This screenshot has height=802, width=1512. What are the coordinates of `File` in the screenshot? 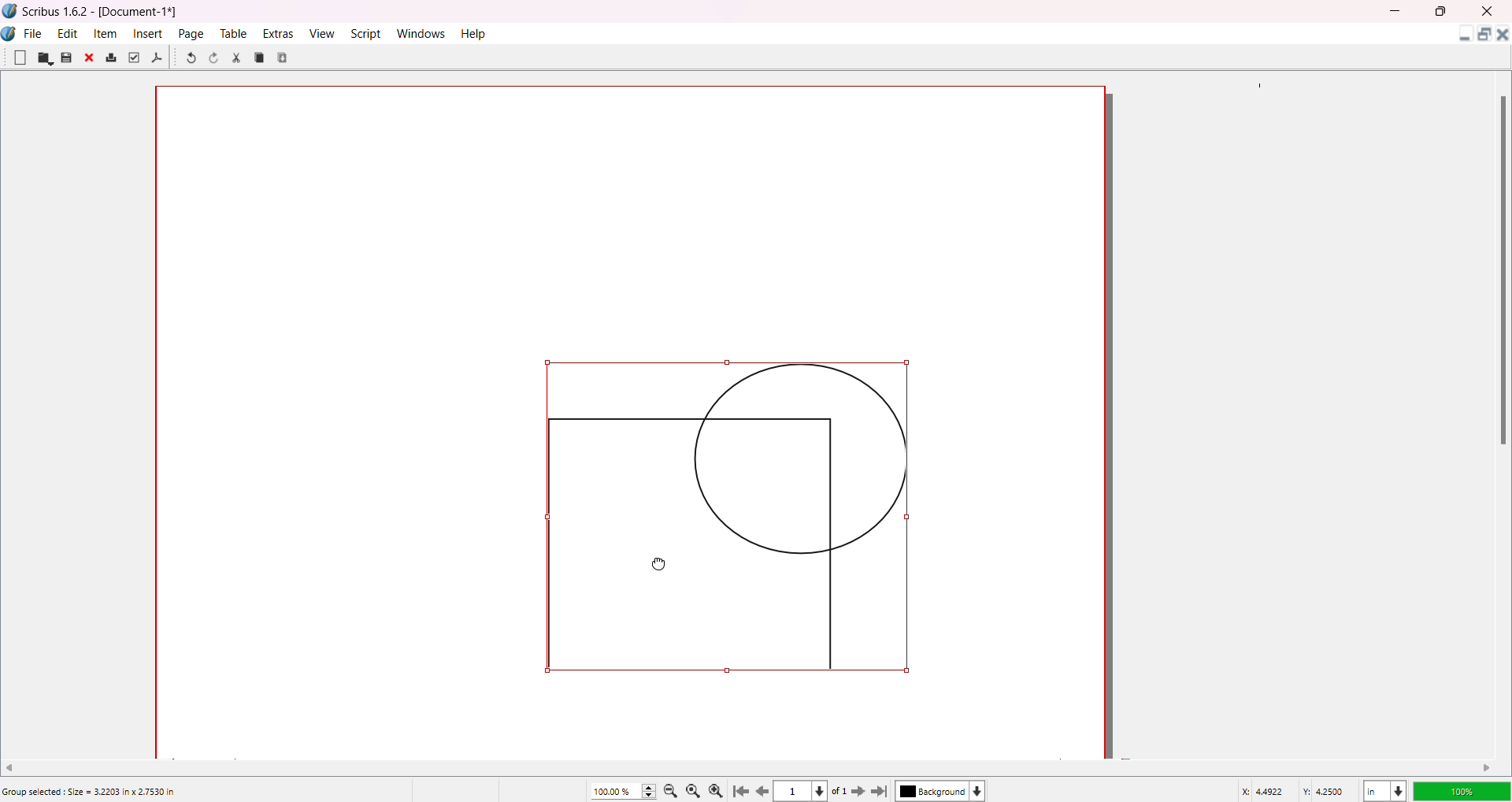 It's located at (34, 32).